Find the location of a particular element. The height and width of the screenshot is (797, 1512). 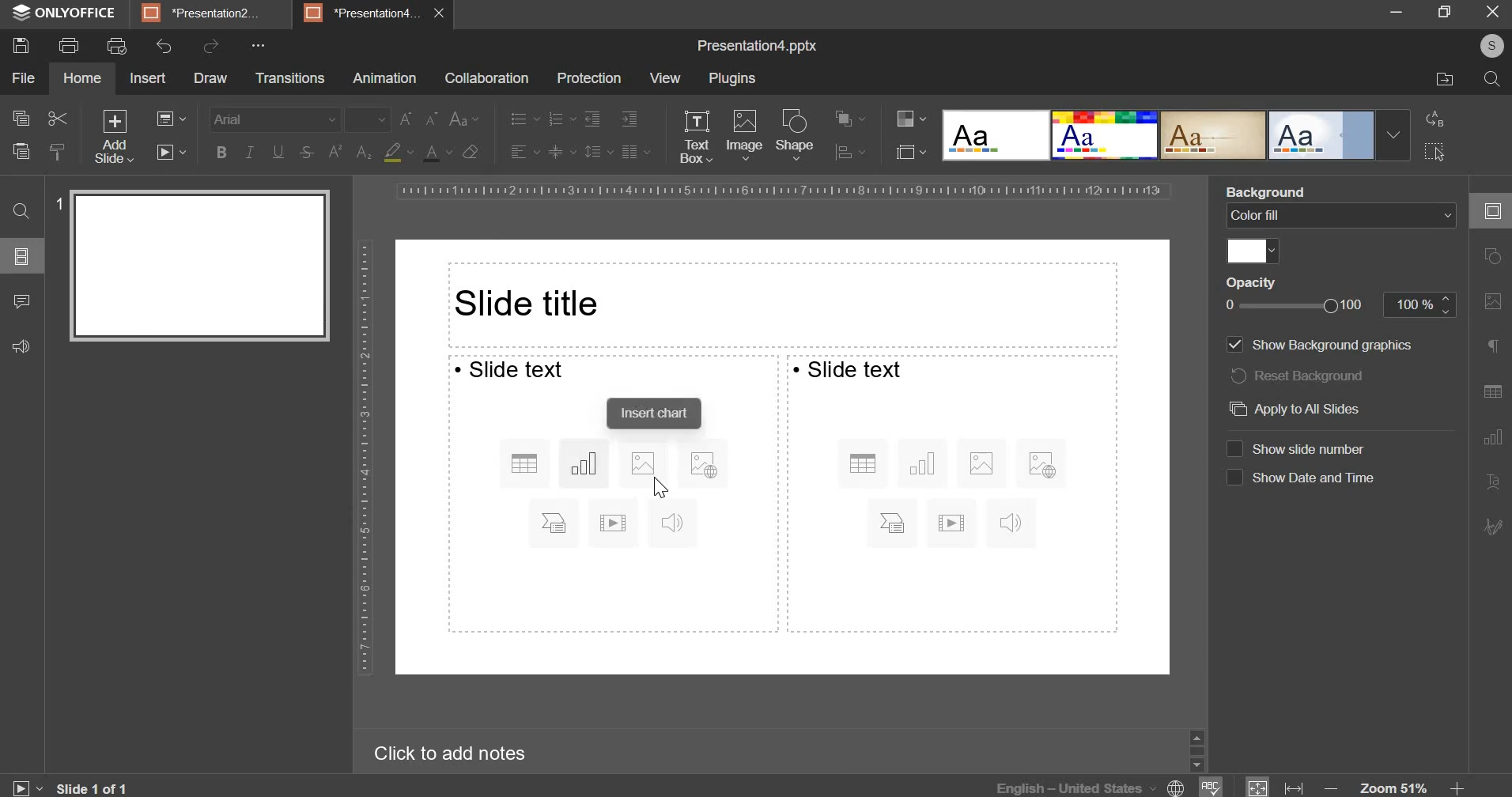

text is located at coordinates (511, 369).